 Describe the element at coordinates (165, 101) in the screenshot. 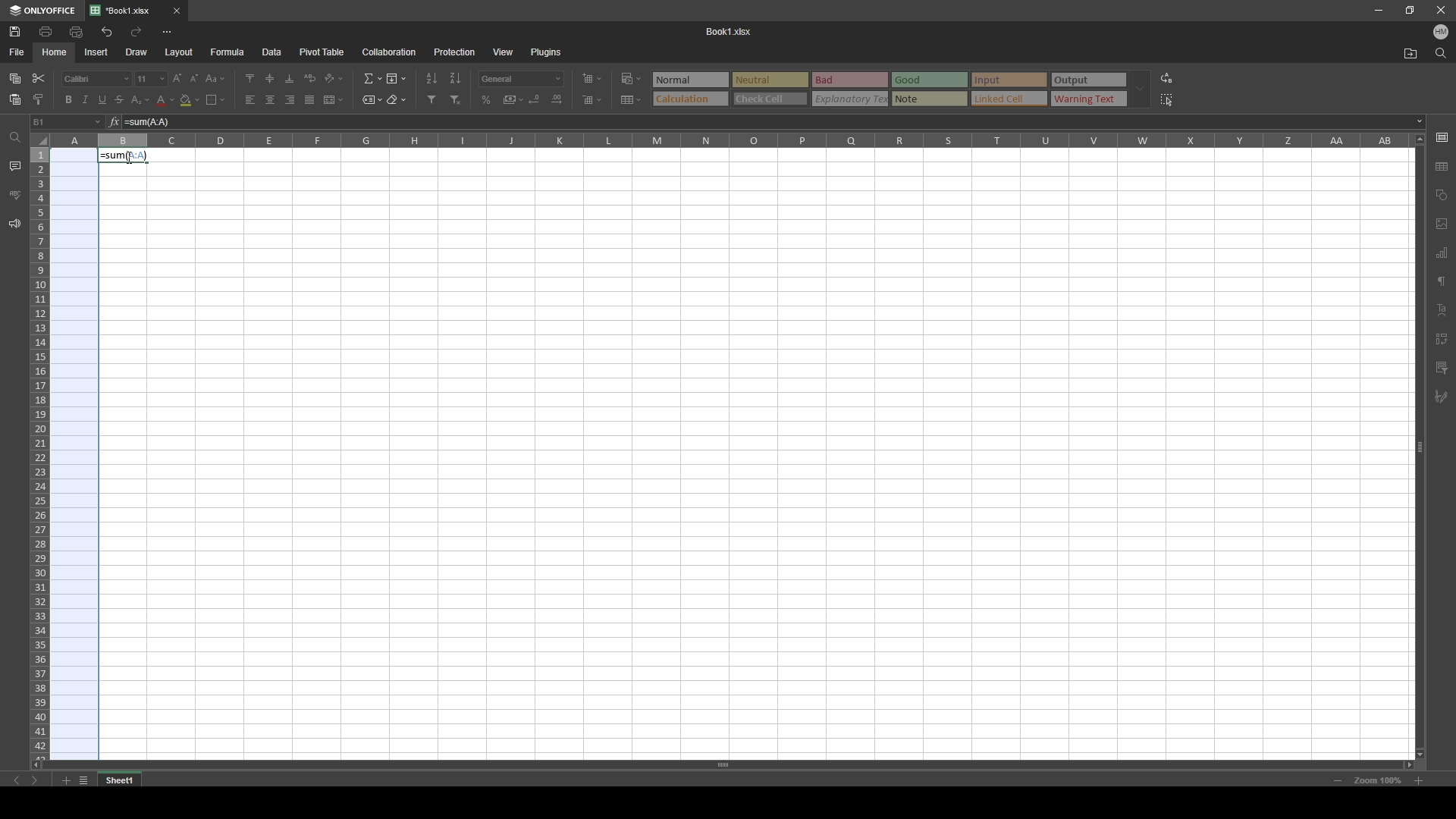

I see `font color` at that location.